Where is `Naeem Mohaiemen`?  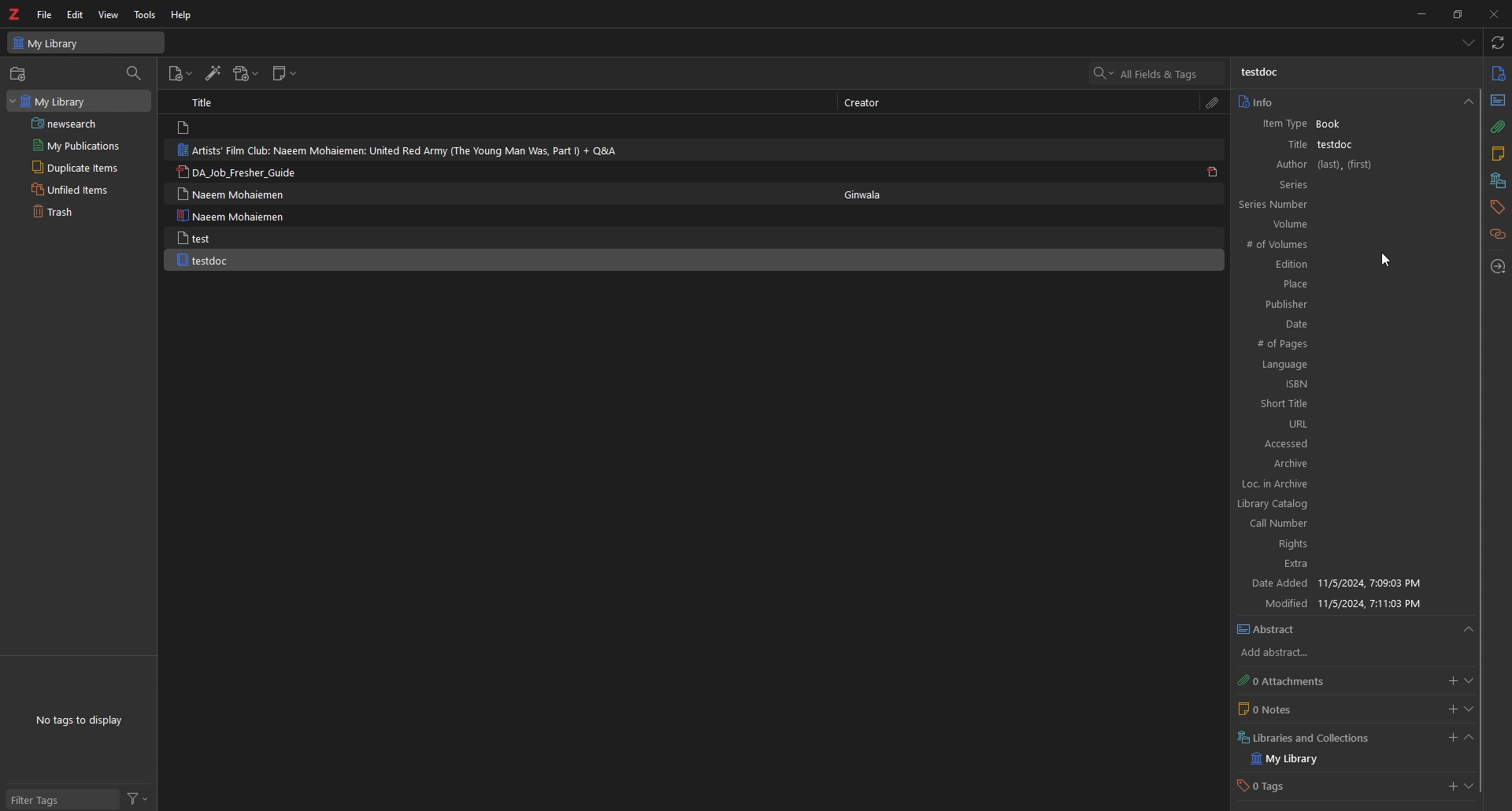
Naeem Mohaiemen is located at coordinates (237, 194).